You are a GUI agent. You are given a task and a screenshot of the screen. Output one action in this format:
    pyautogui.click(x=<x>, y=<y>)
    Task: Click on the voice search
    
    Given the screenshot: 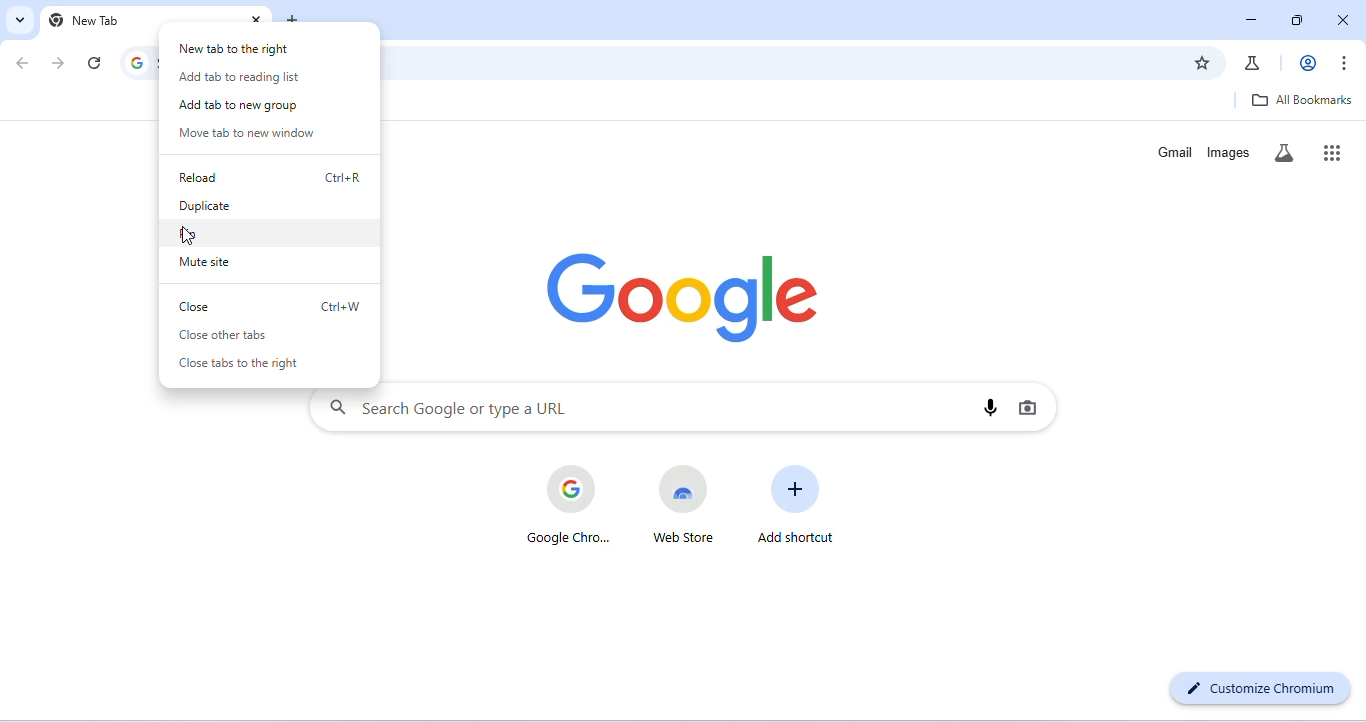 What is the action you would take?
    pyautogui.click(x=992, y=406)
    